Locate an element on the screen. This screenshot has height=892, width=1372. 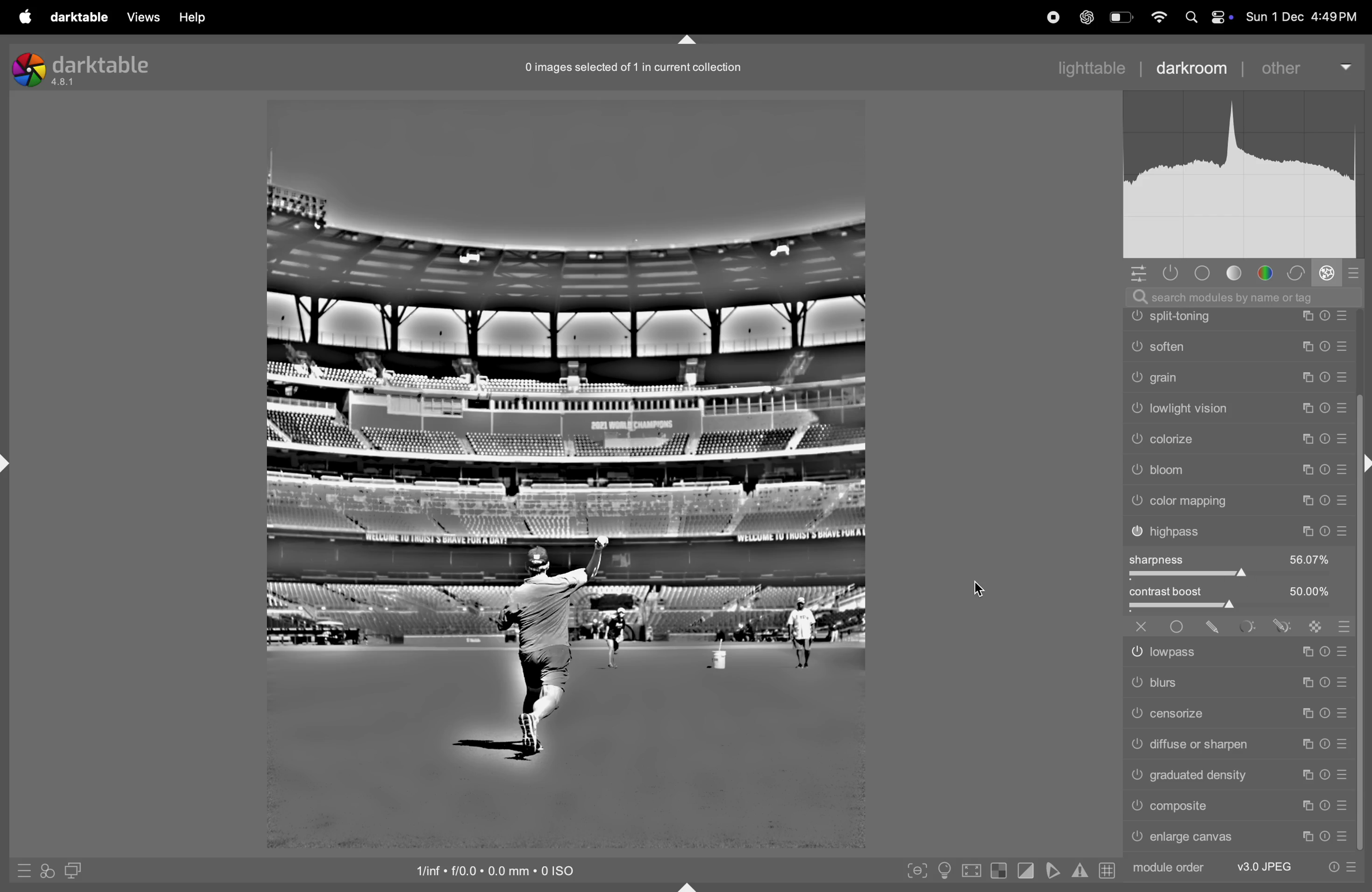
light vision is located at coordinates (1239, 499).